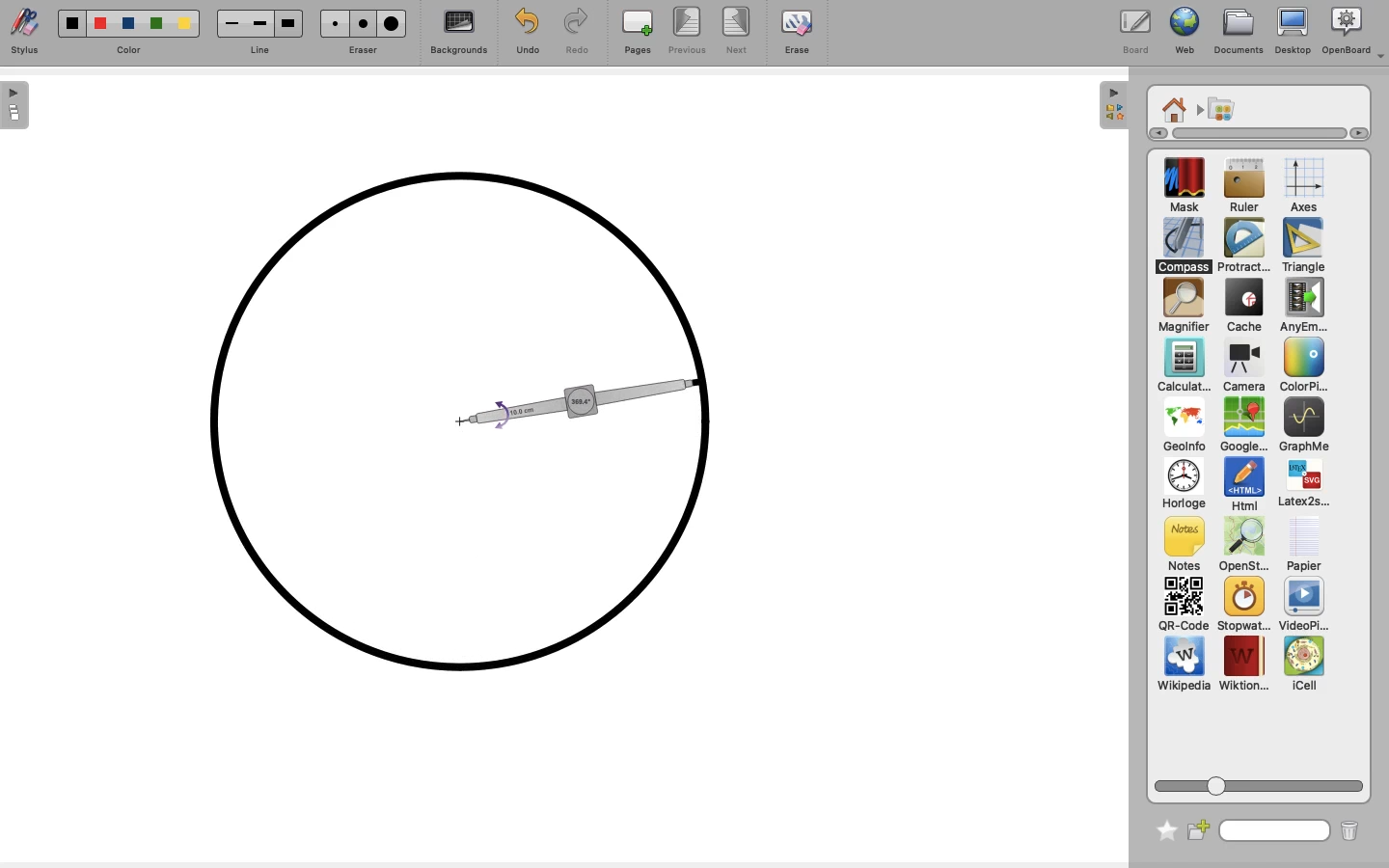 The width and height of the screenshot is (1389, 868). I want to click on Color, so click(1300, 366).